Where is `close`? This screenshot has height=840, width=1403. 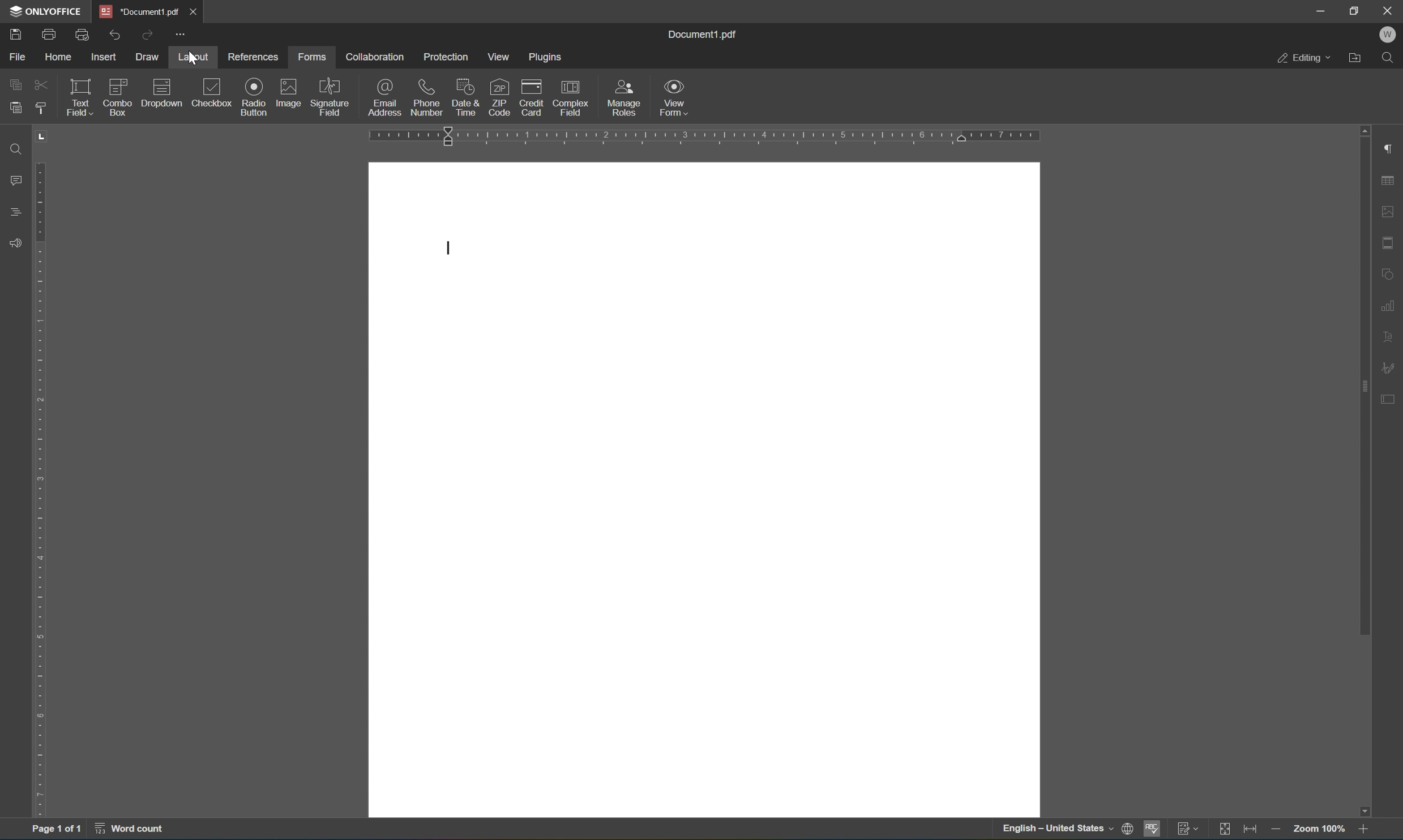
close is located at coordinates (1388, 10).